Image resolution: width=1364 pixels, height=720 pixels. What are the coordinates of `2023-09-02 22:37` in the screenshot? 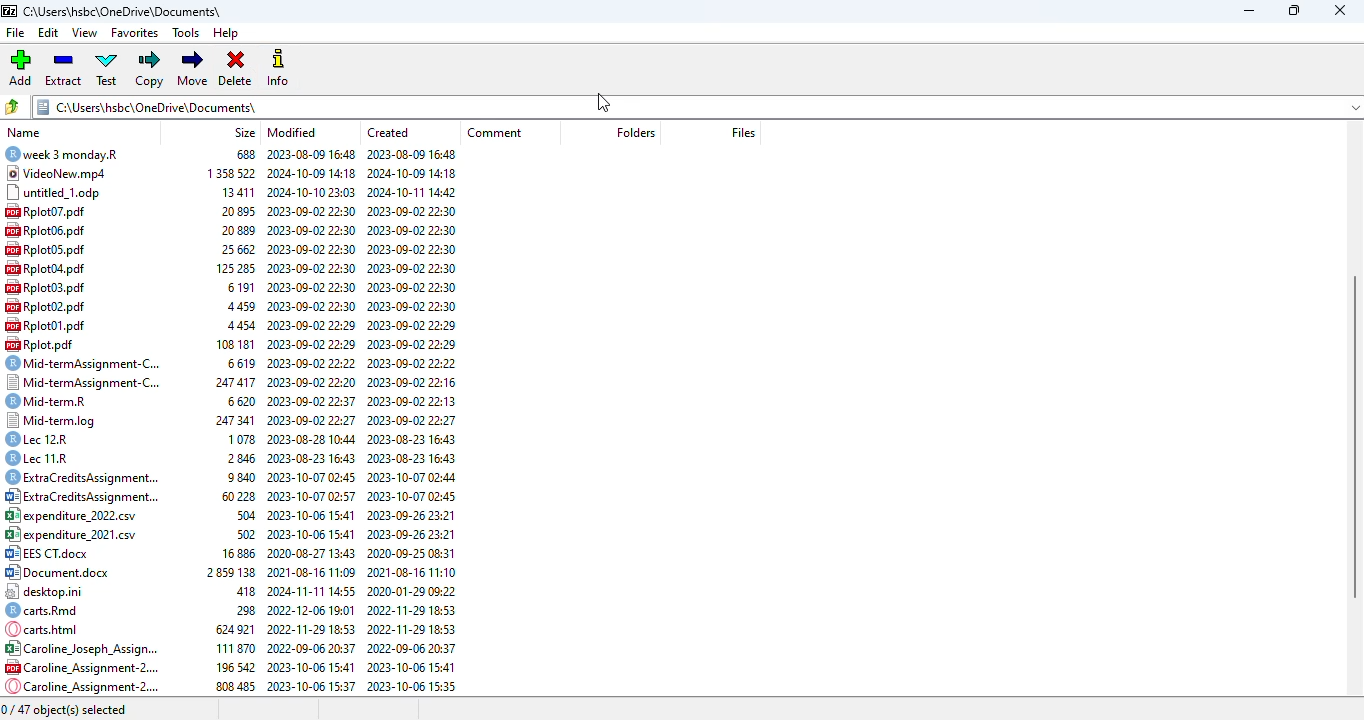 It's located at (307, 401).